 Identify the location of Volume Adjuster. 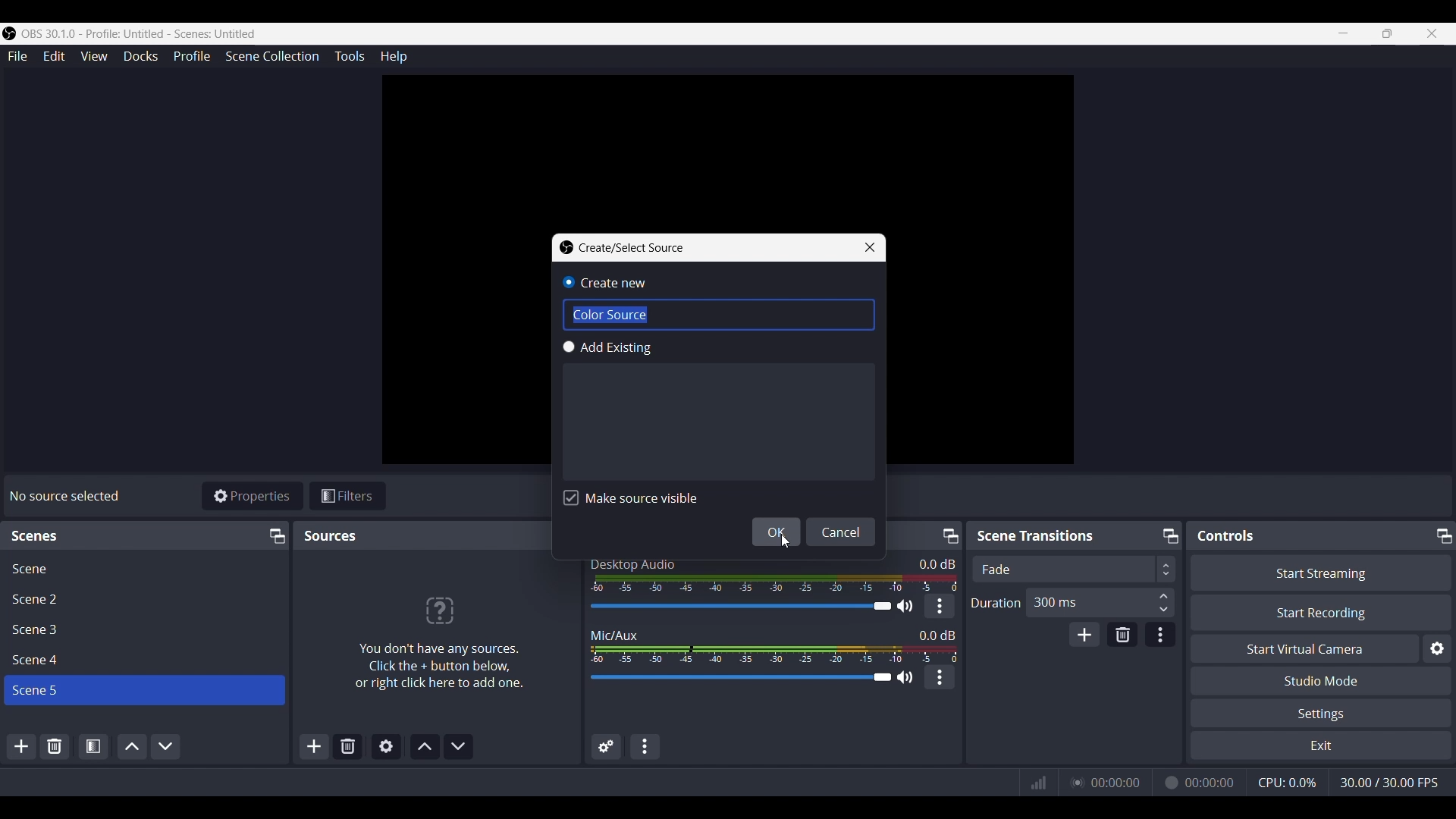
(751, 605).